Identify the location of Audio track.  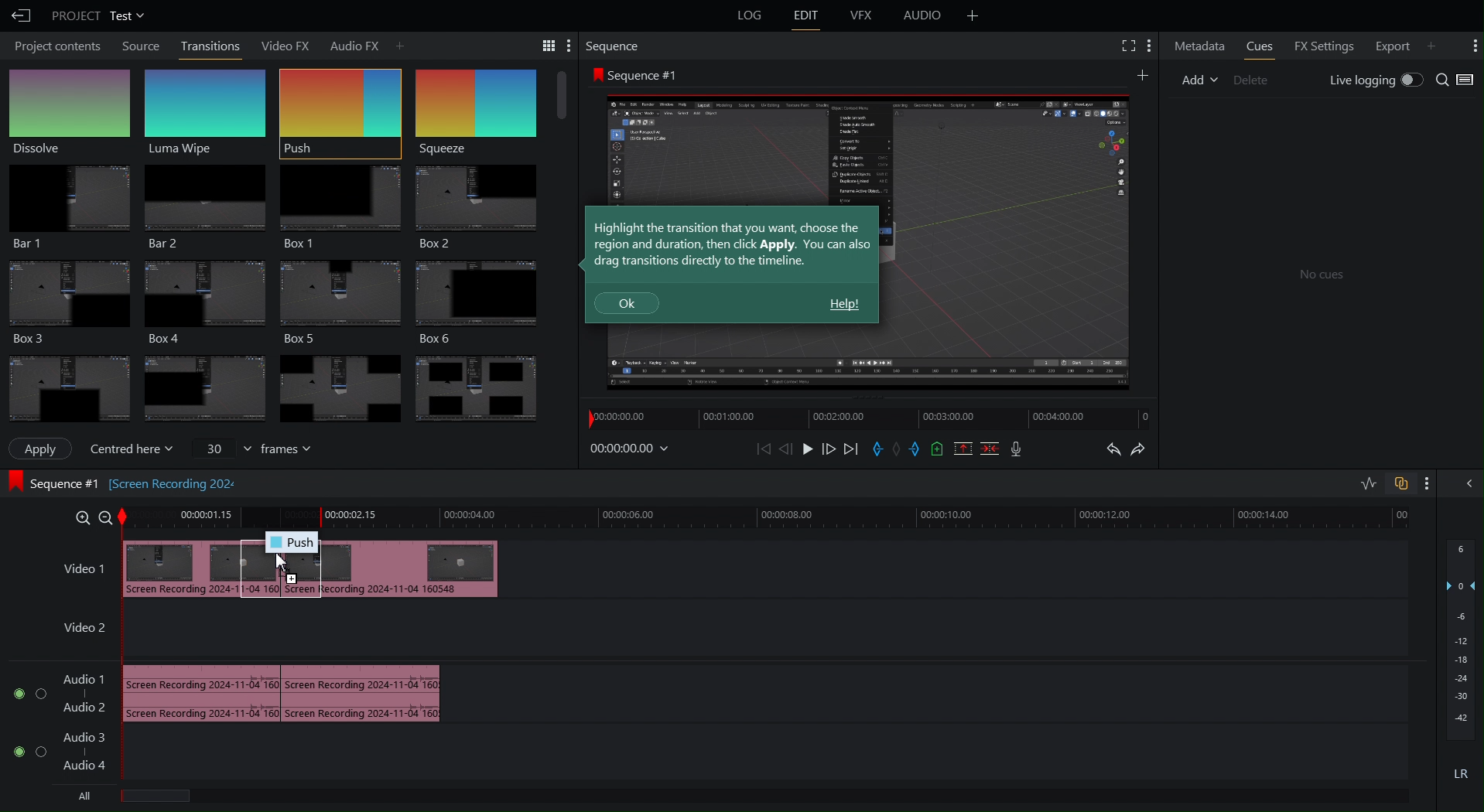
(282, 691).